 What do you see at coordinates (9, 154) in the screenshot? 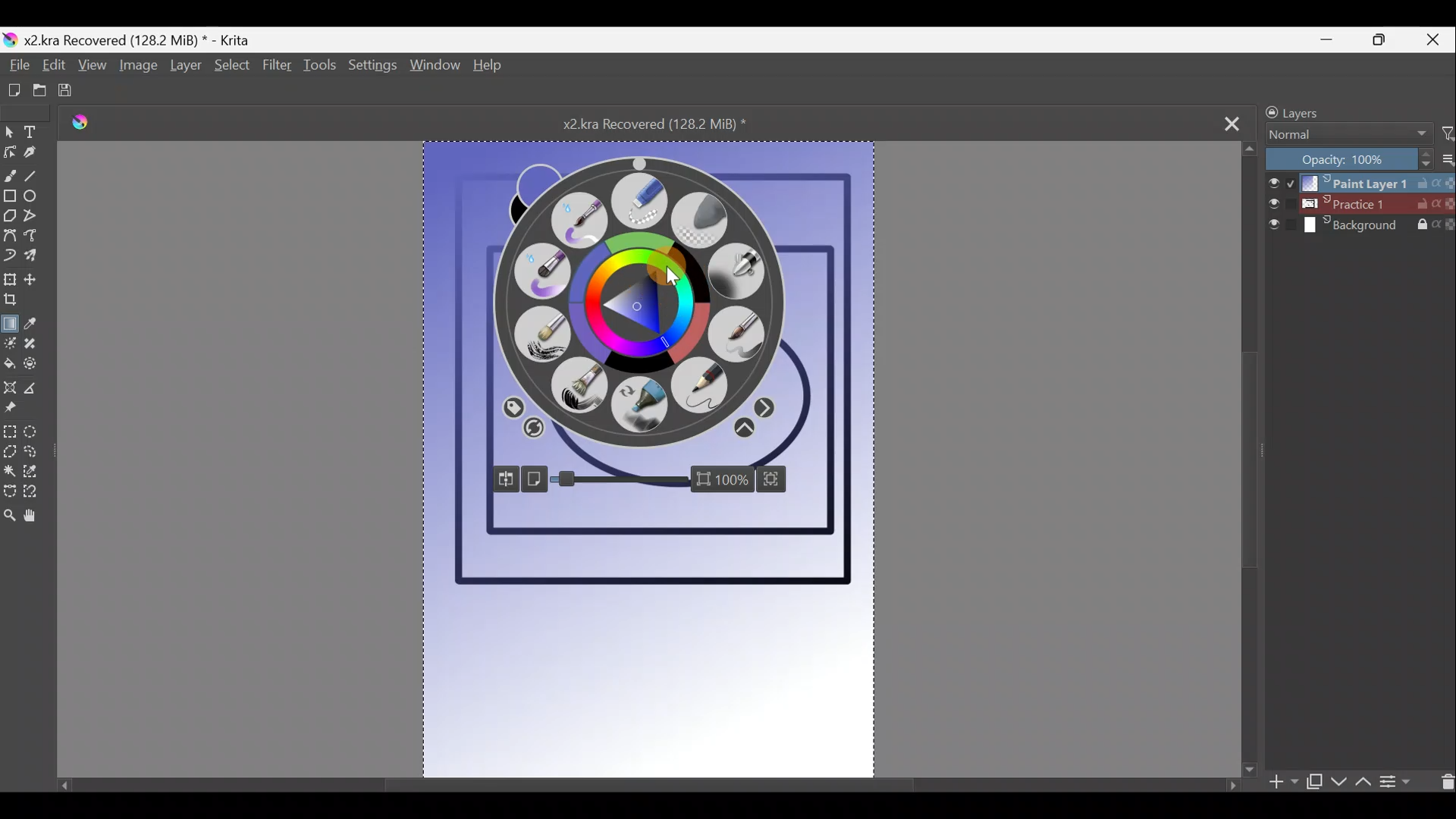
I see `Edit shapes tool` at bounding box center [9, 154].